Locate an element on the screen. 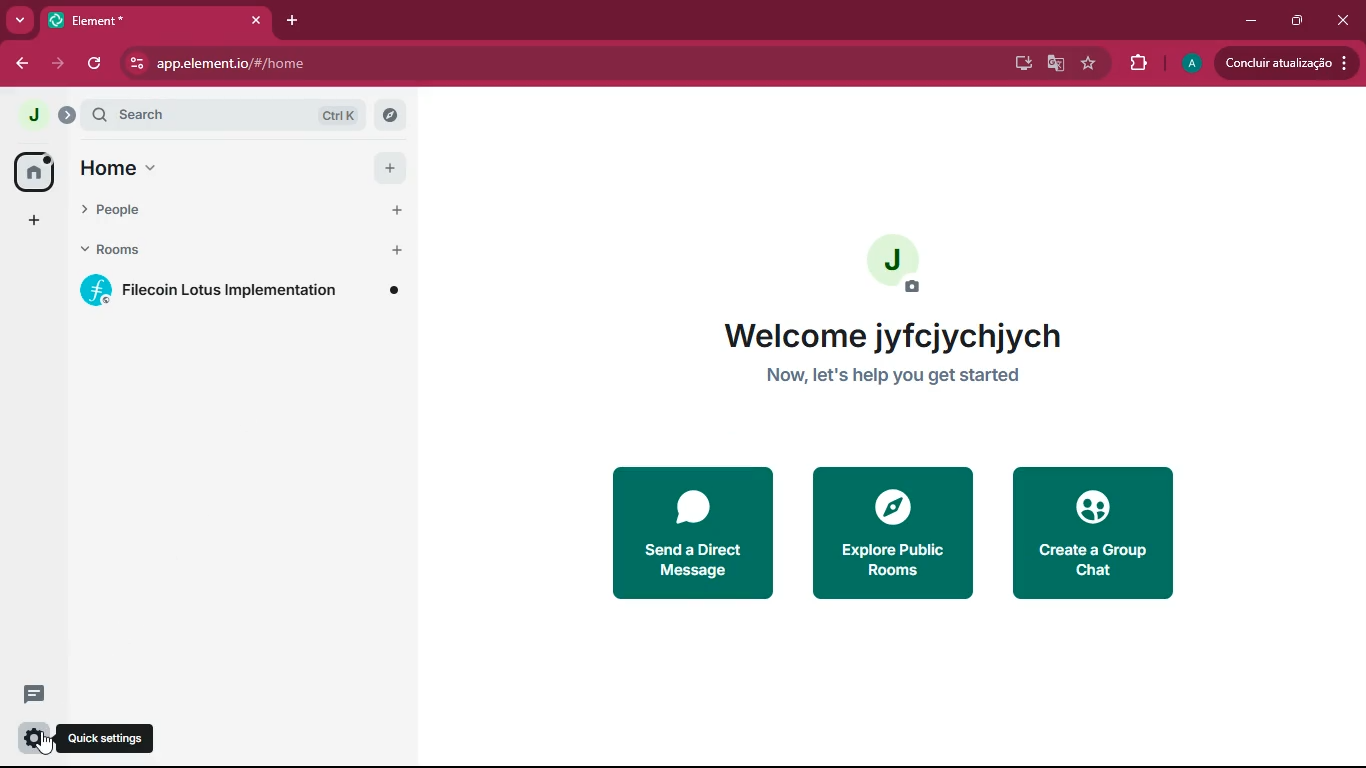 This screenshot has height=768, width=1366. extensions is located at coordinates (1140, 63).